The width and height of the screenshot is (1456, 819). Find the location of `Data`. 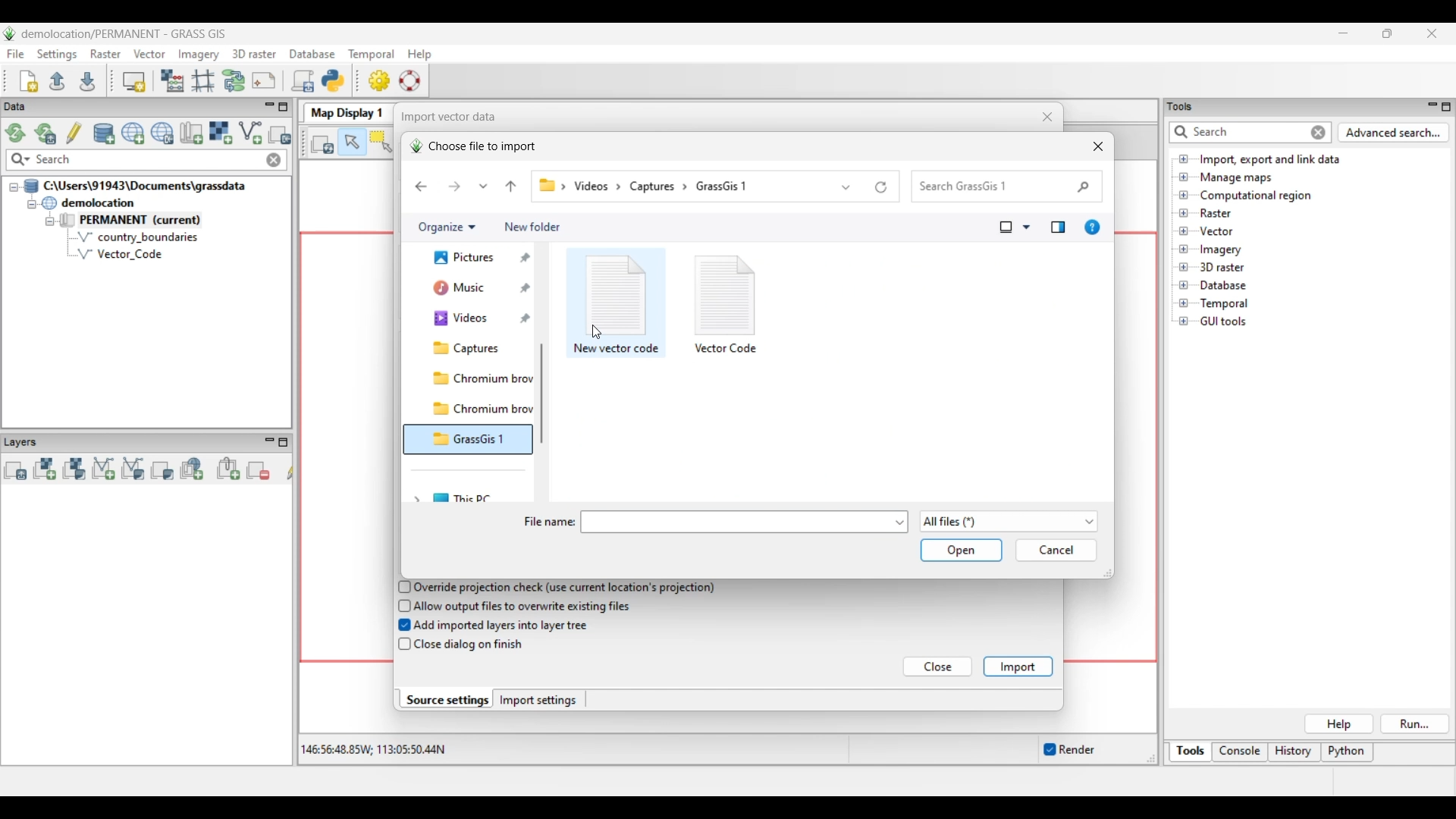

Data is located at coordinates (28, 107).